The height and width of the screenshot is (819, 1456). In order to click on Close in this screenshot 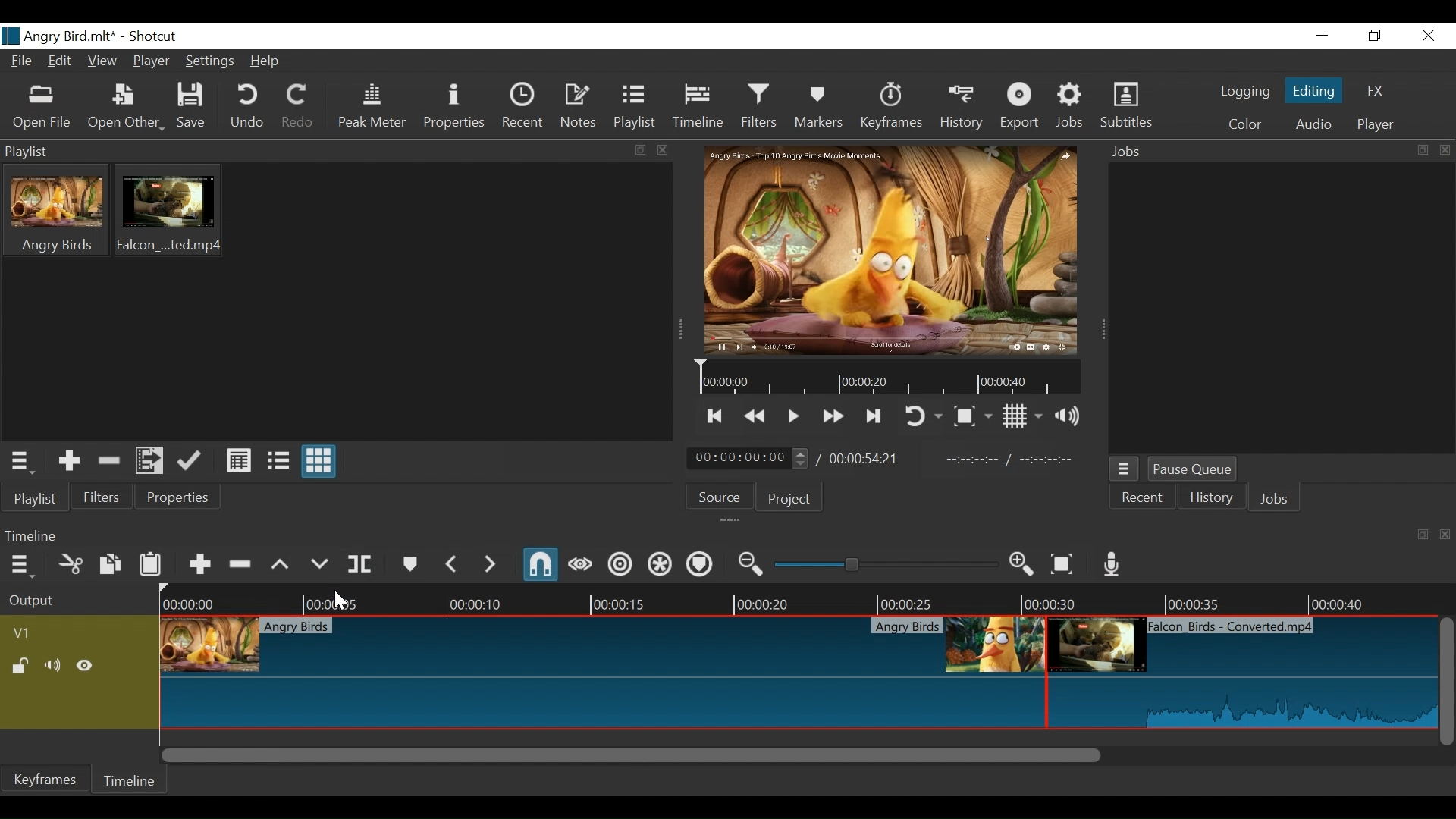, I will do `click(1428, 35)`.